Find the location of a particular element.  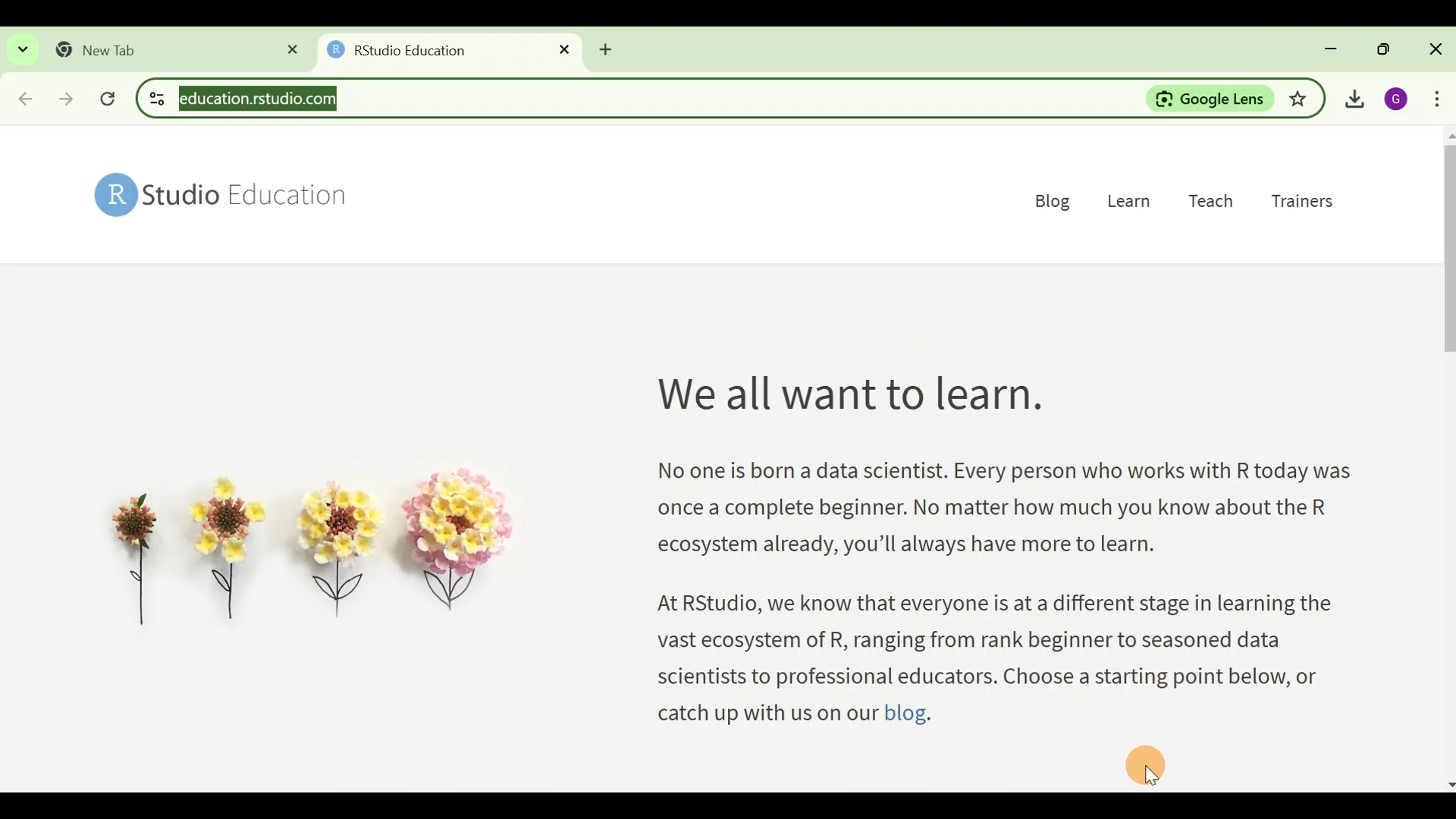

Downloads is located at coordinates (1353, 99).